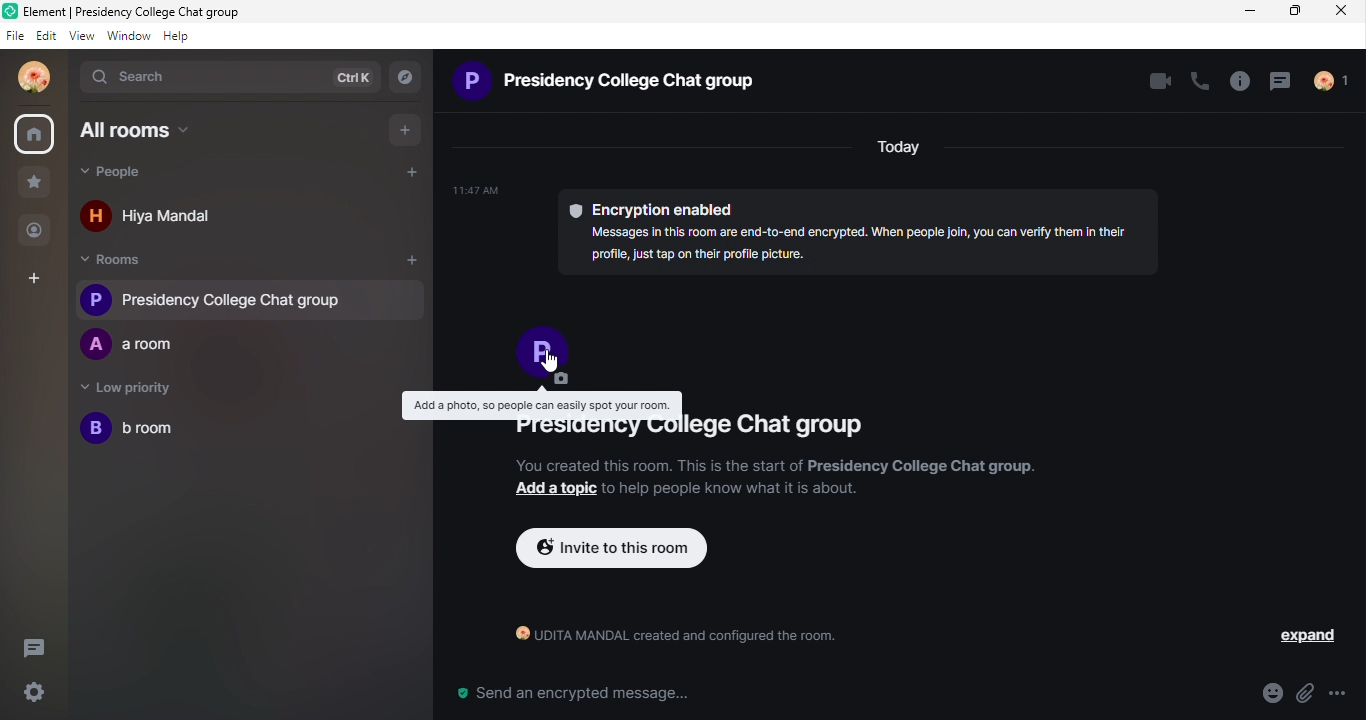  What do you see at coordinates (1346, 13) in the screenshot?
I see `close` at bounding box center [1346, 13].